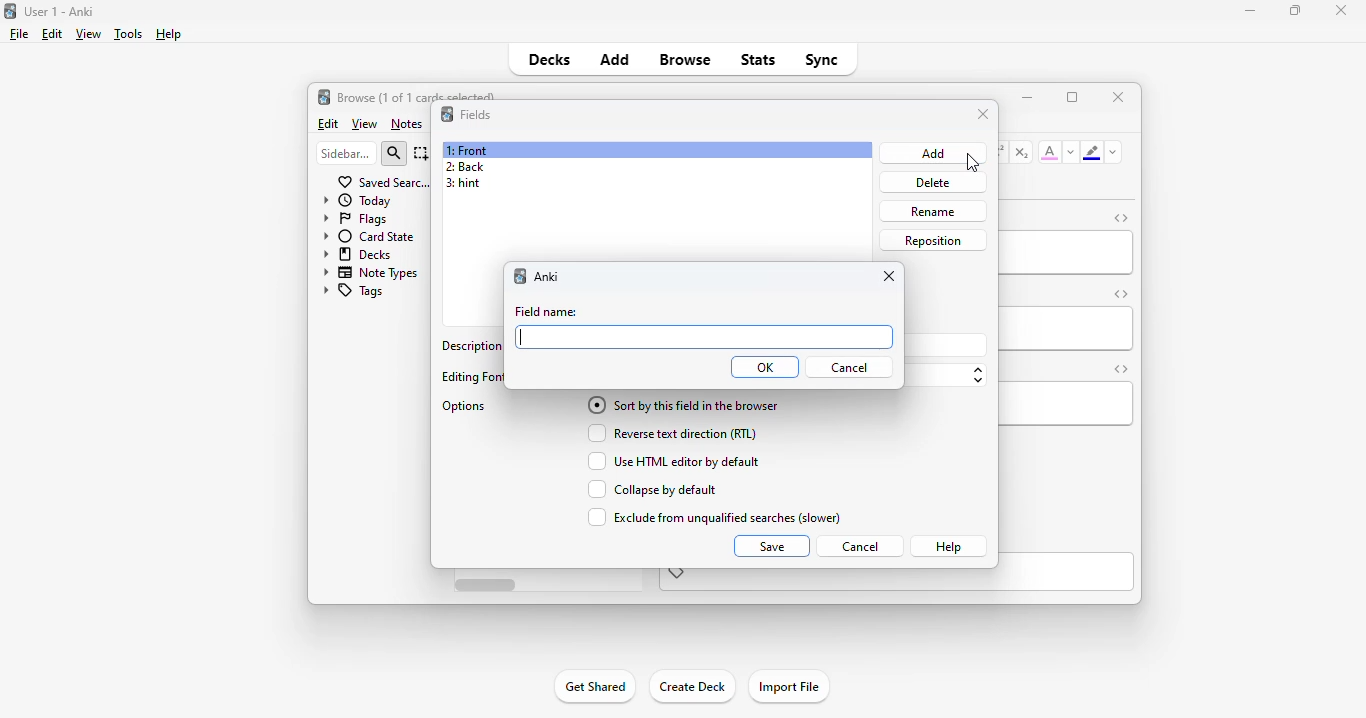  Describe the element at coordinates (464, 166) in the screenshot. I see `2: back` at that location.